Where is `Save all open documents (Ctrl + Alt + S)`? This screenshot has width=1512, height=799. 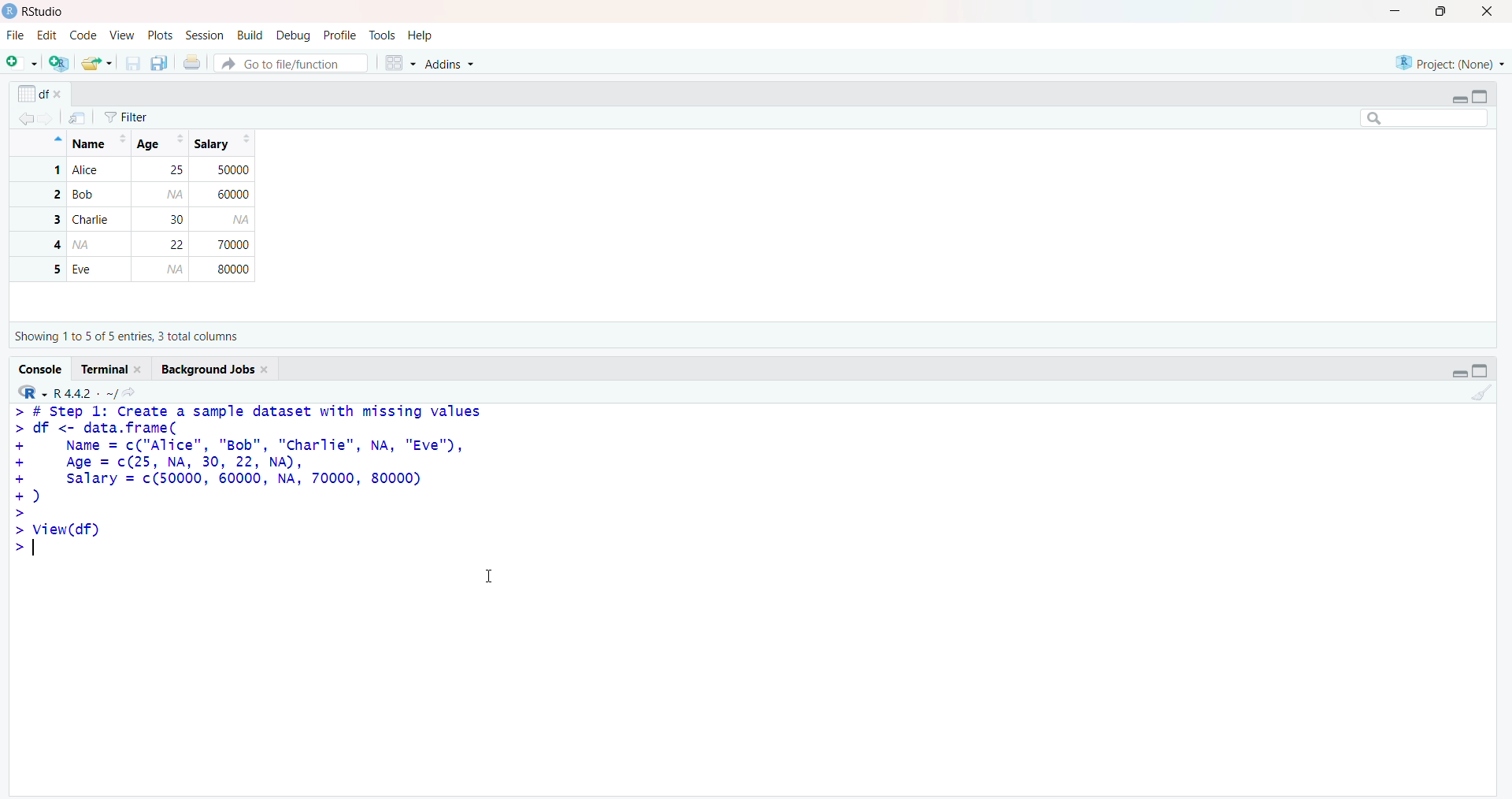 Save all open documents (Ctrl + Alt + S) is located at coordinates (160, 63).